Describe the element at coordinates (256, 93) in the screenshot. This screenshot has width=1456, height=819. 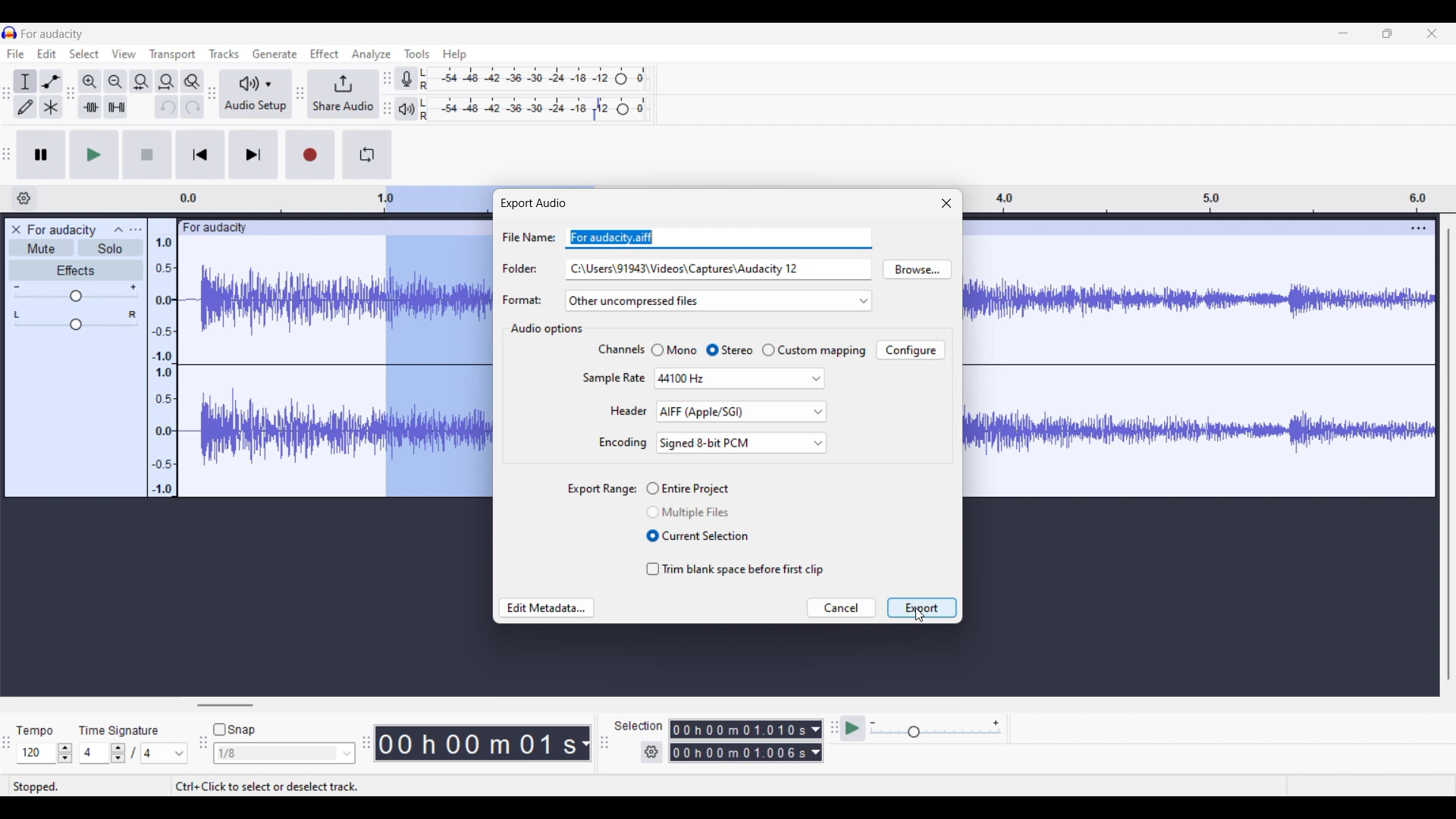
I see `Audio setup` at that location.